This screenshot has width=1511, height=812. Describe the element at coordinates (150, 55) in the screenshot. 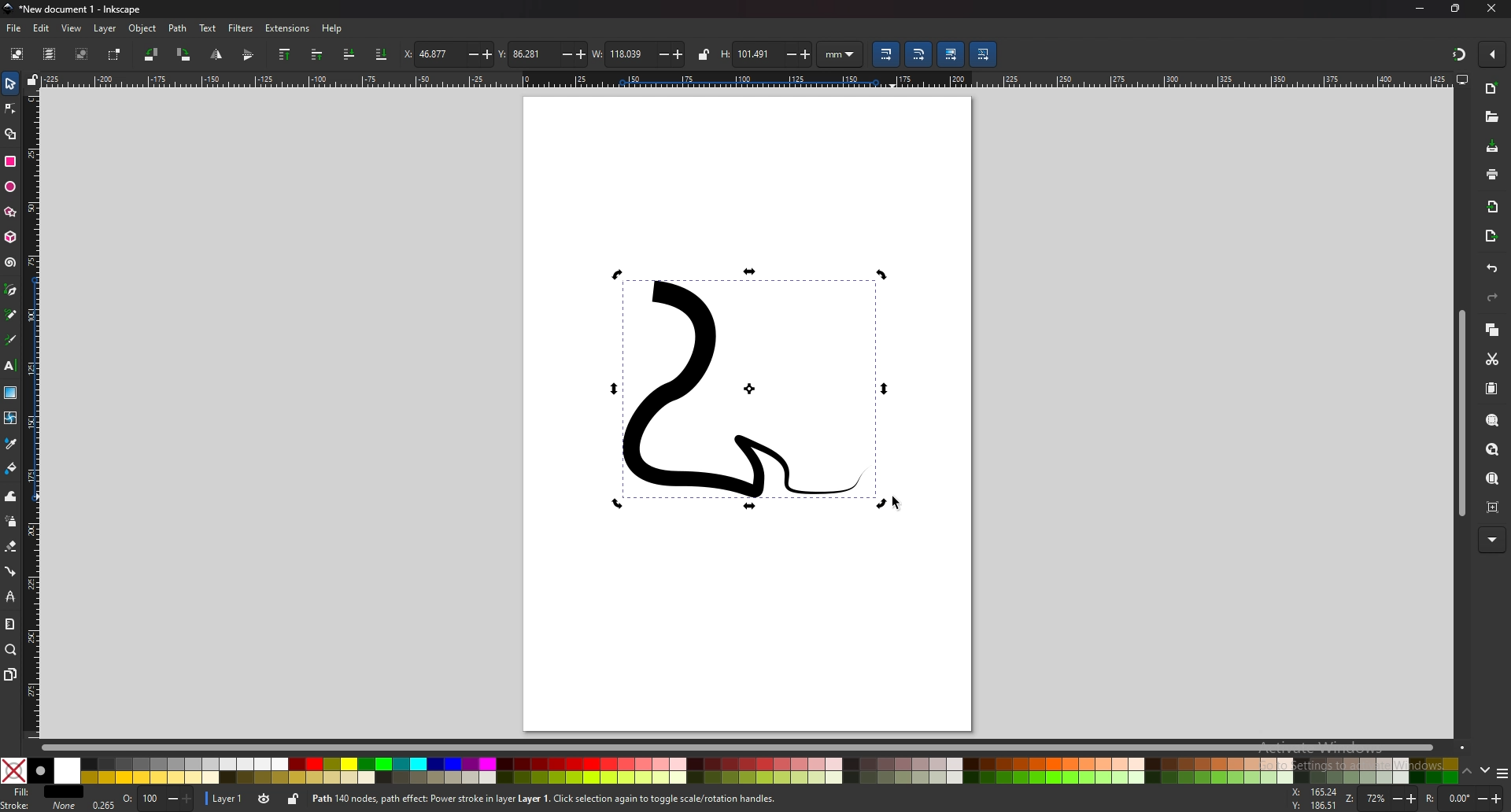

I see `rotate 90 degree ccw` at that location.